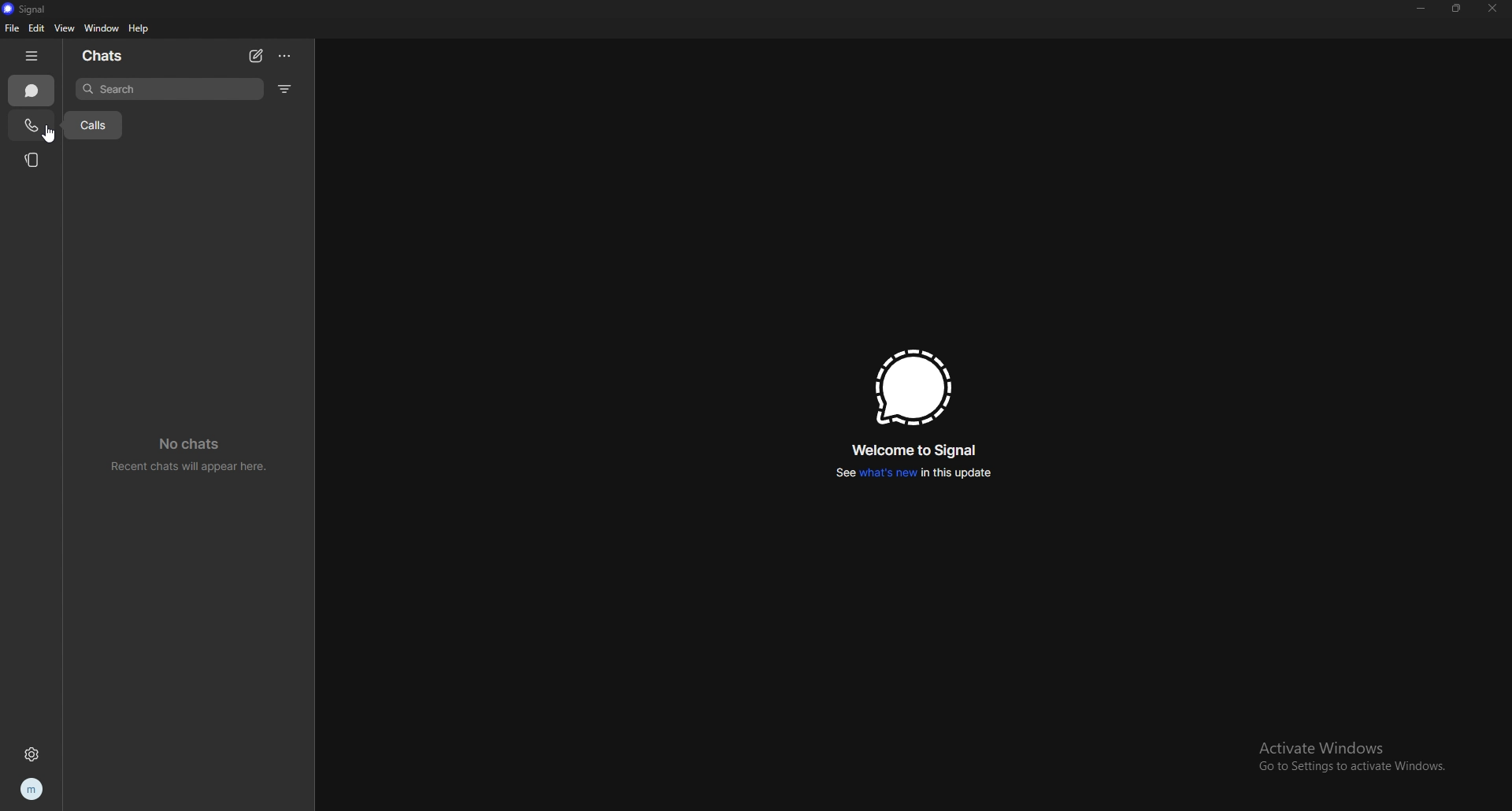 The image size is (1512, 811). What do you see at coordinates (912, 450) in the screenshot?
I see `welcome to signal` at bounding box center [912, 450].